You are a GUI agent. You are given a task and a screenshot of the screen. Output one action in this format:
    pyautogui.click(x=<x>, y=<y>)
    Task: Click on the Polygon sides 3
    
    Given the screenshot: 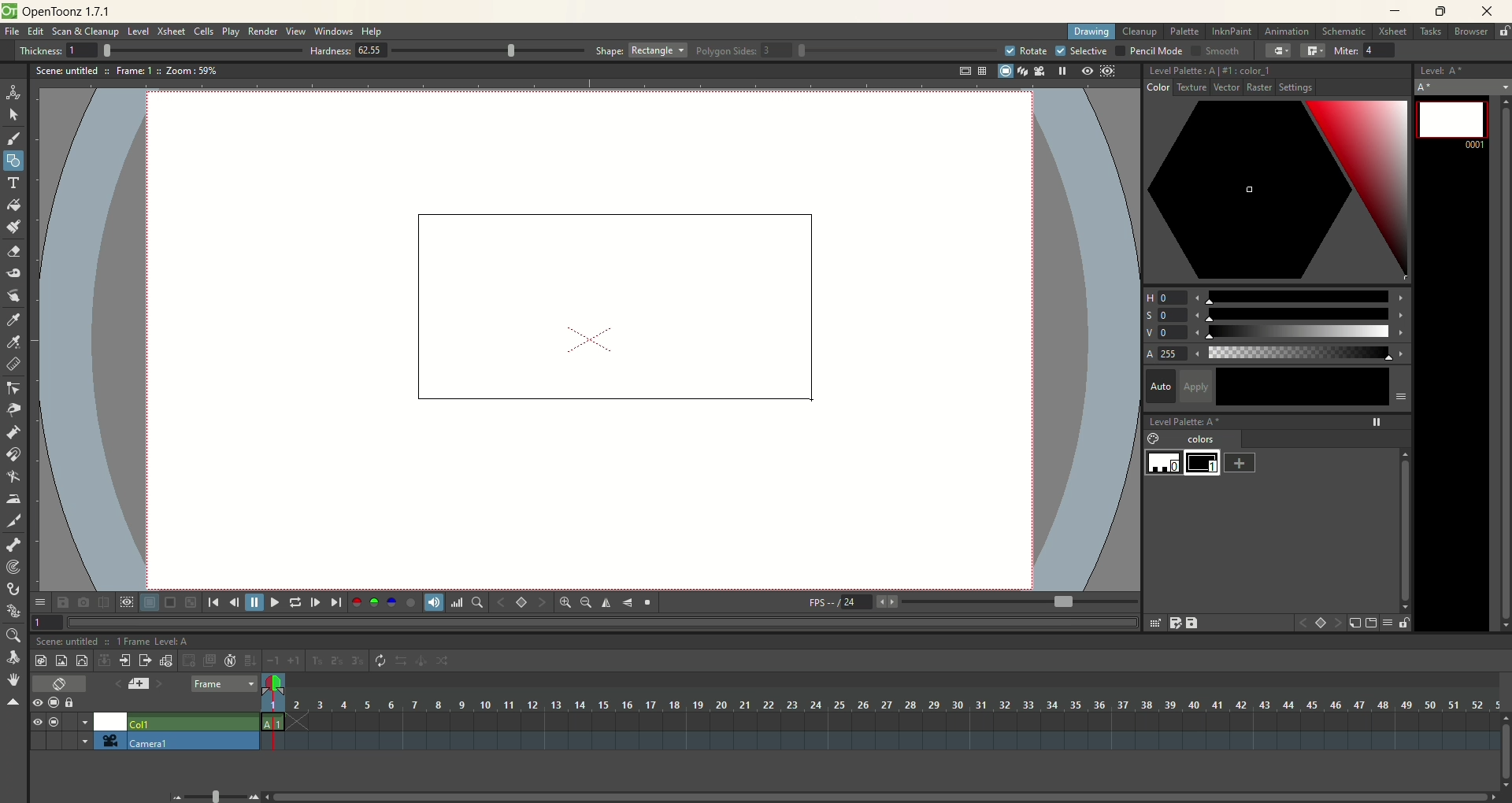 What is the action you would take?
    pyautogui.click(x=838, y=51)
    